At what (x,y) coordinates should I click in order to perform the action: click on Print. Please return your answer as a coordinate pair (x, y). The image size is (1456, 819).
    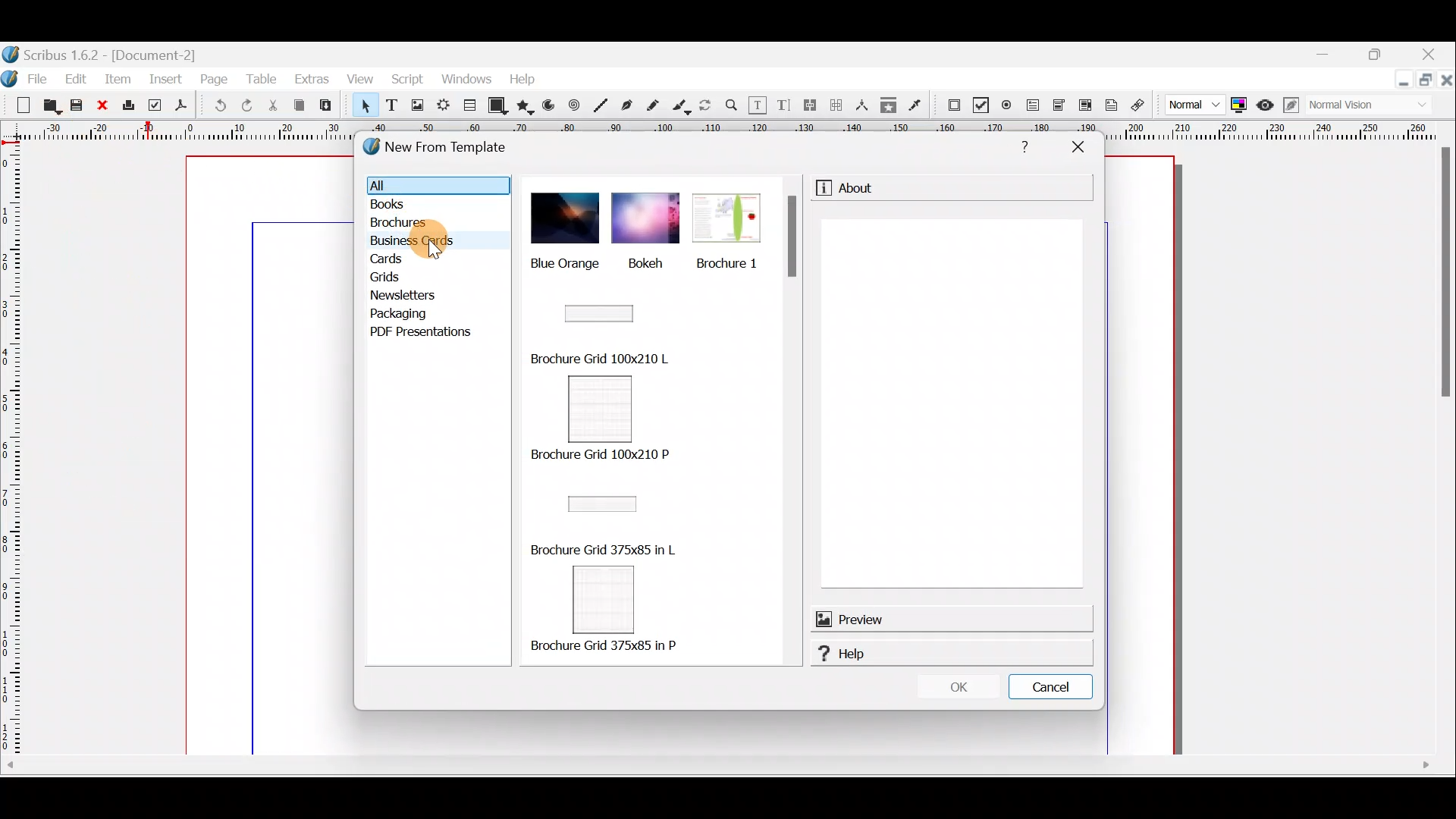
    Looking at the image, I should click on (128, 107).